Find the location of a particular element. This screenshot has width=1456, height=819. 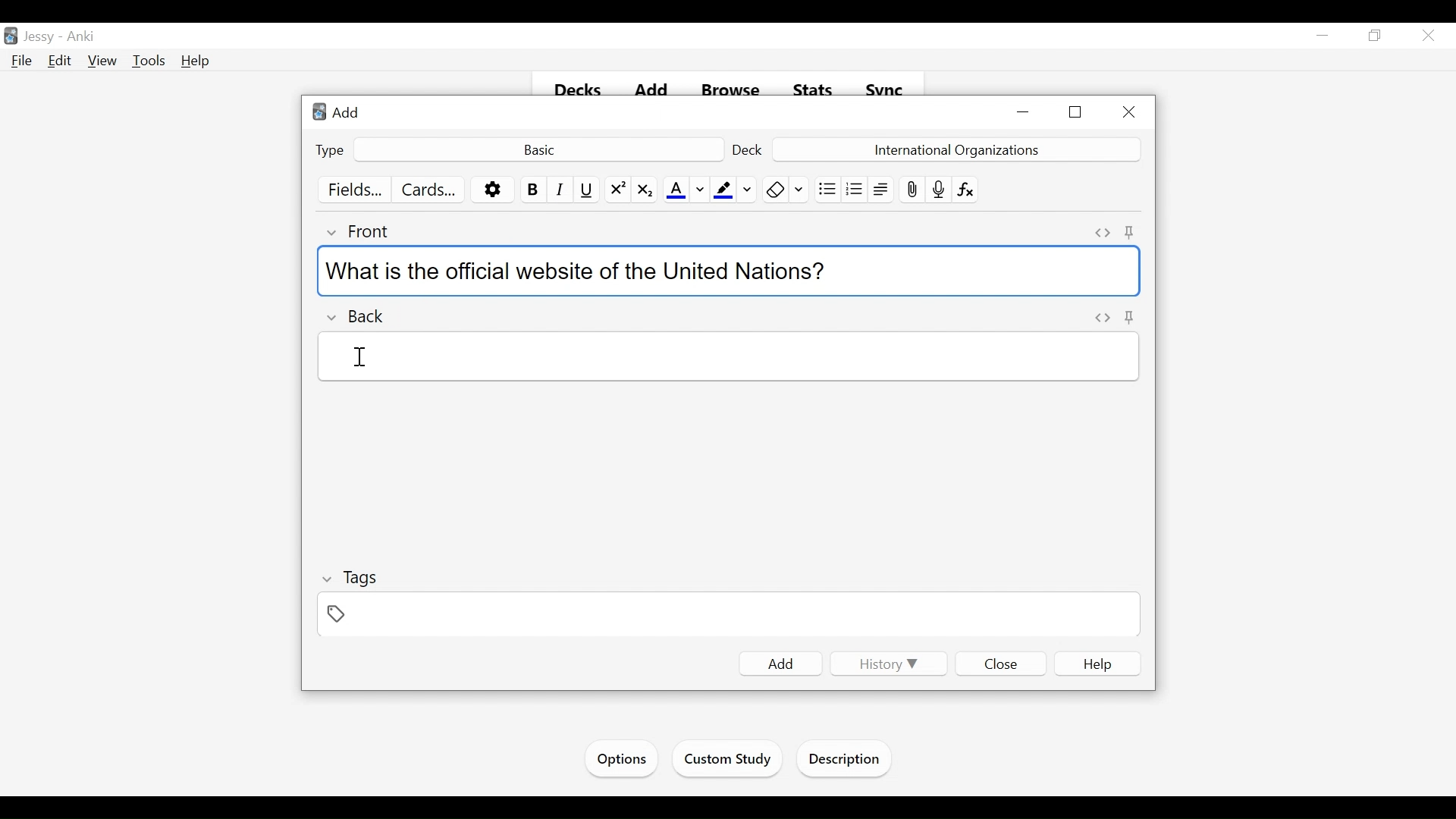

More options is located at coordinates (492, 190).